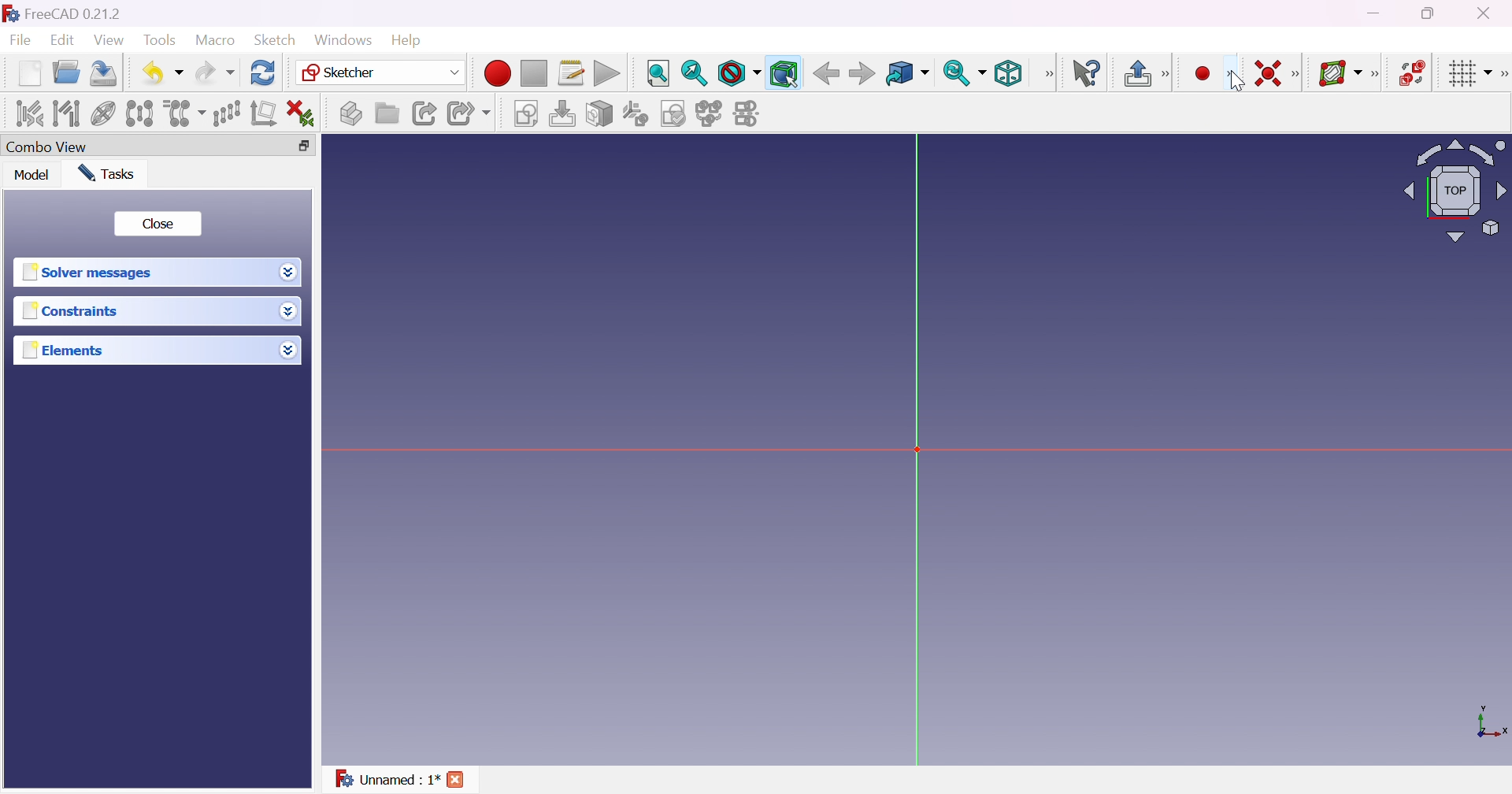 The width and height of the screenshot is (1512, 794). I want to click on Execute macro, so click(607, 74).